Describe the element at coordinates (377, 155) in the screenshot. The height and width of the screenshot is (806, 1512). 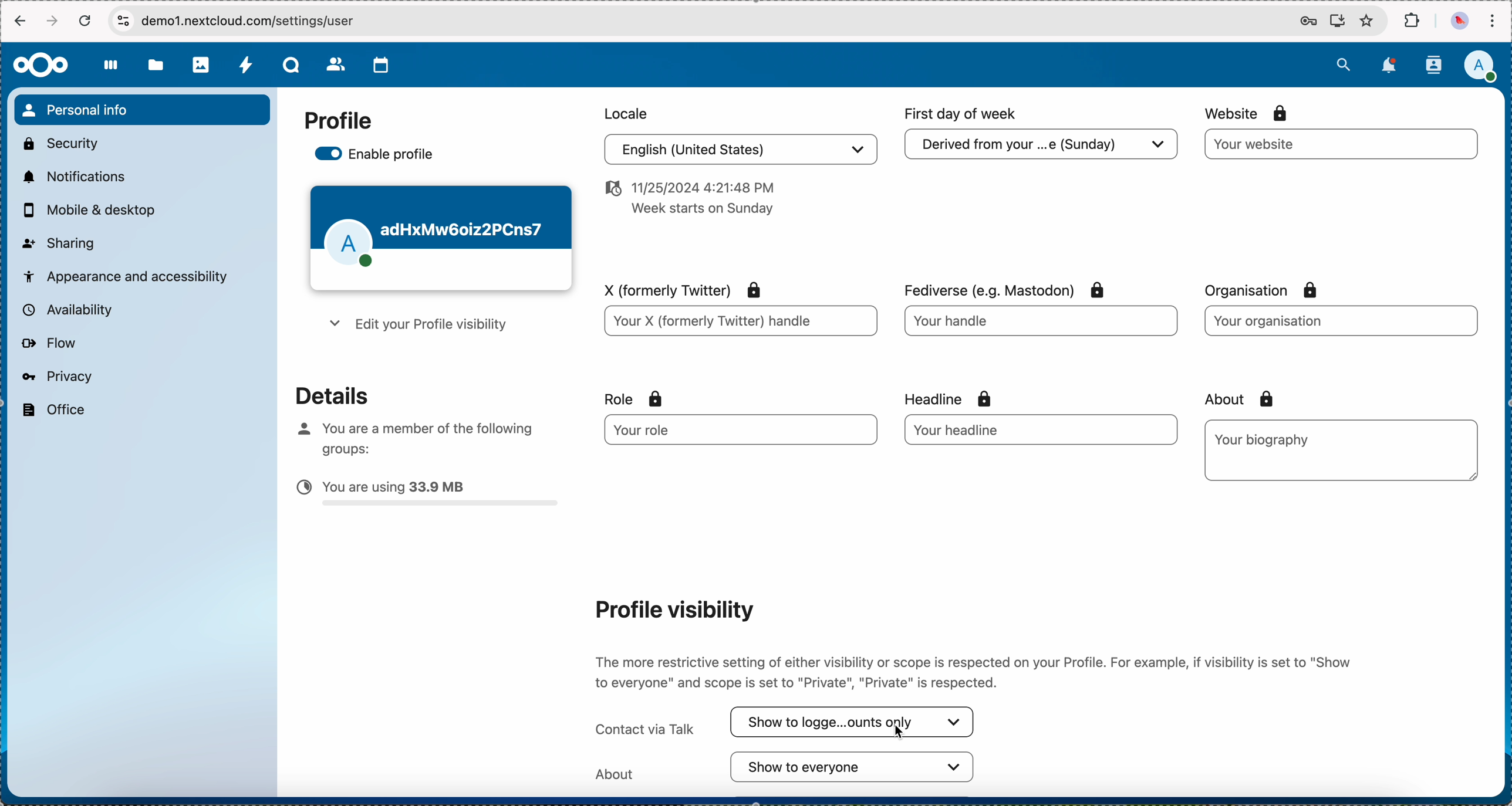
I see `enable profile` at that location.